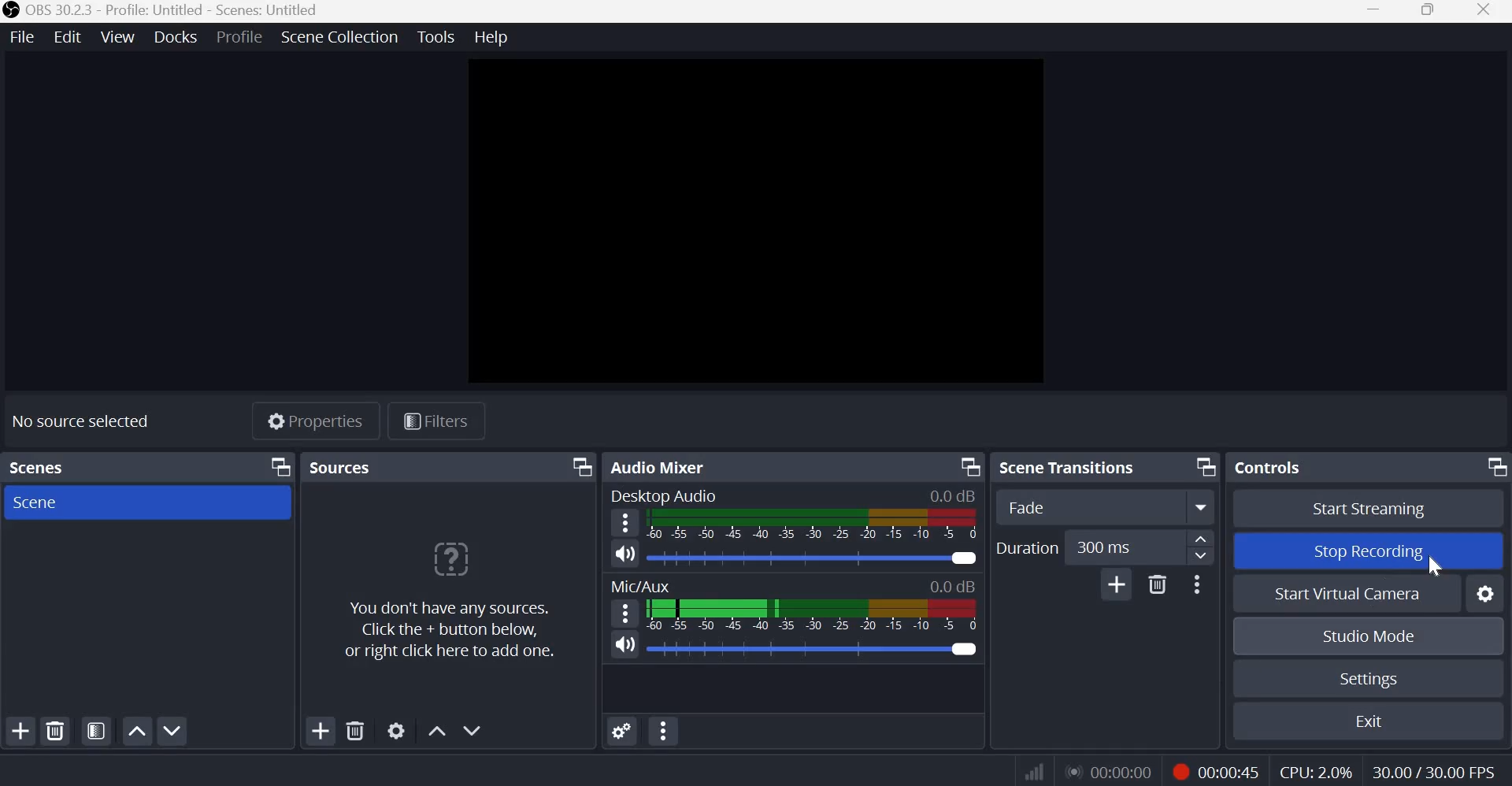  Describe the element at coordinates (661, 466) in the screenshot. I see `Audio mixer` at that location.